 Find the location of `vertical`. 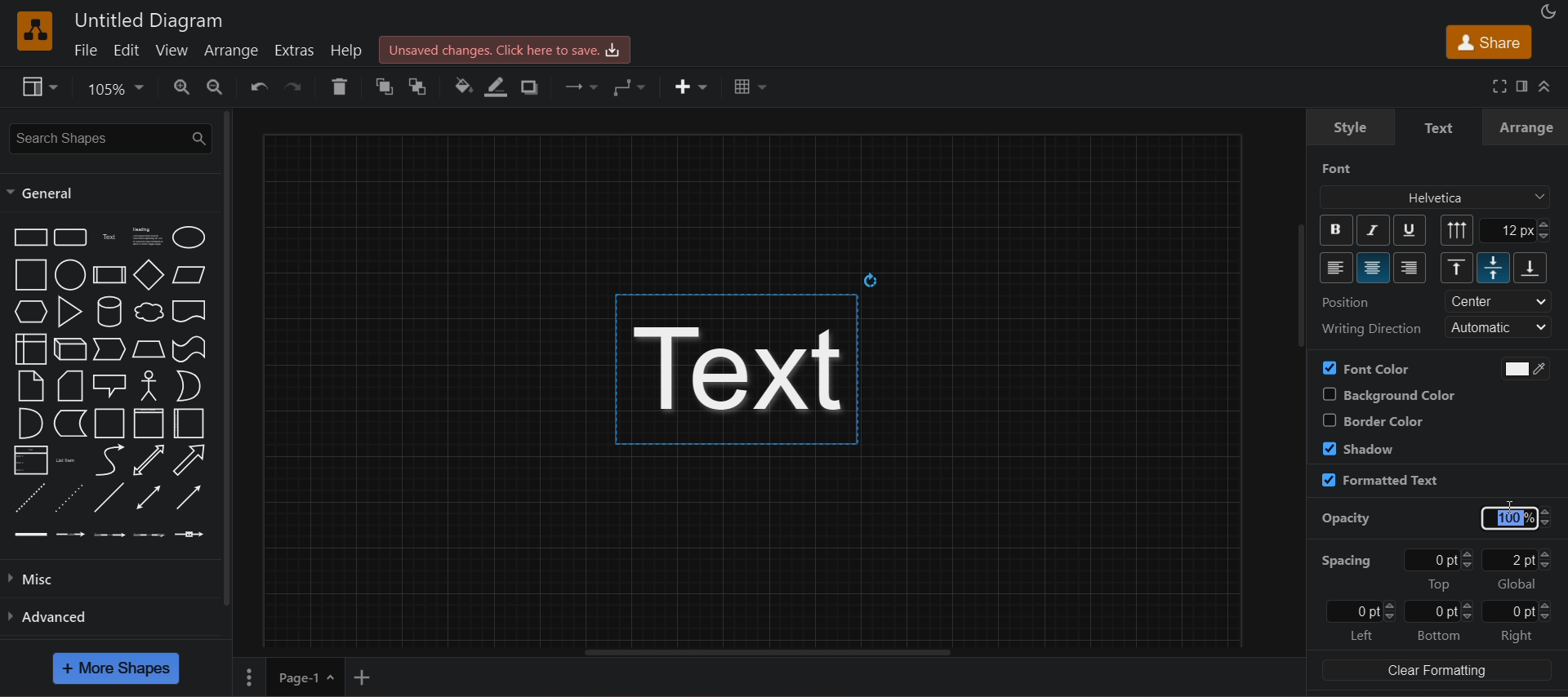

vertical is located at coordinates (1458, 230).